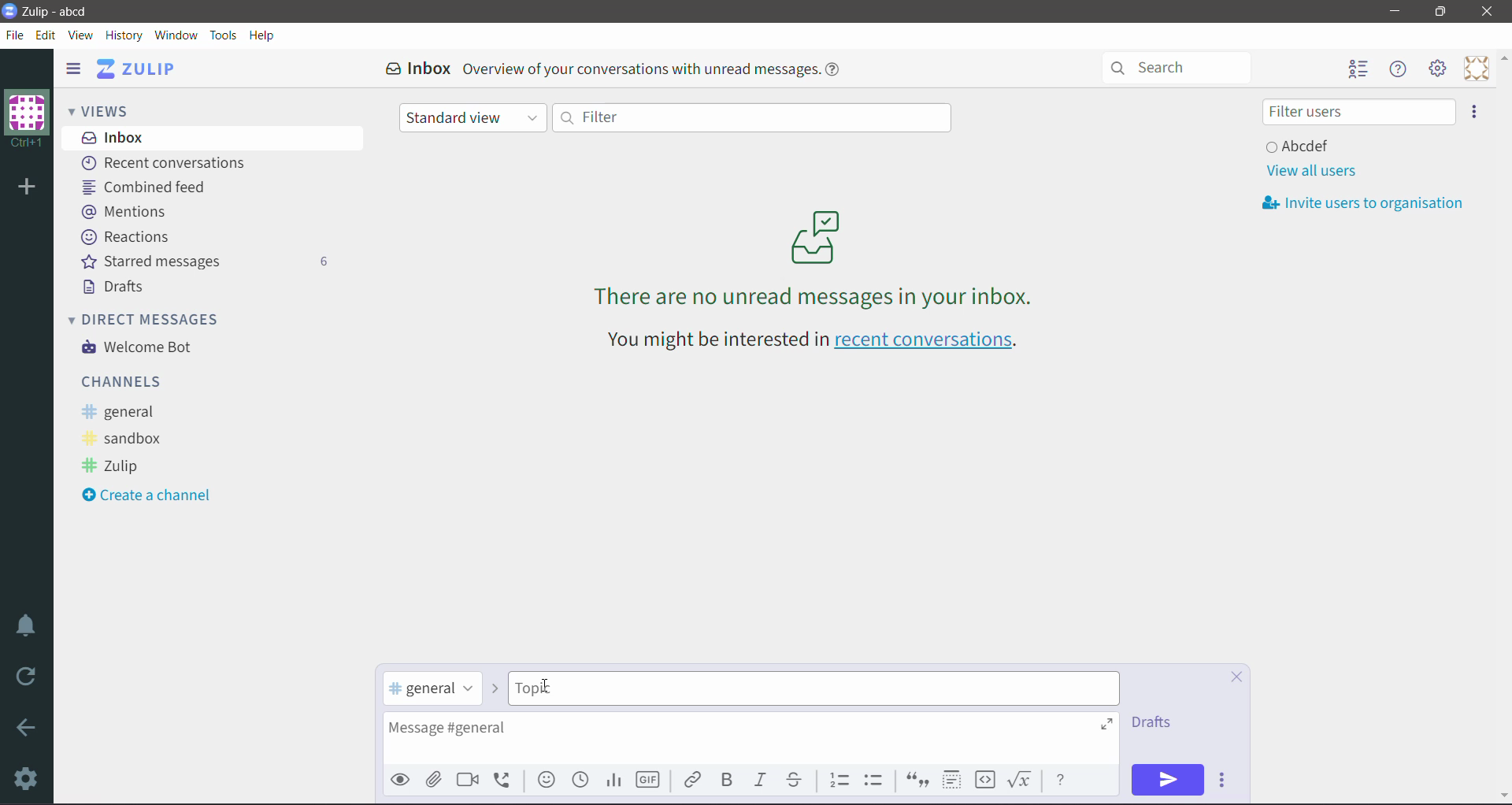 The width and height of the screenshot is (1512, 805). Describe the element at coordinates (176, 35) in the screenshot. I see `Window` at that location.